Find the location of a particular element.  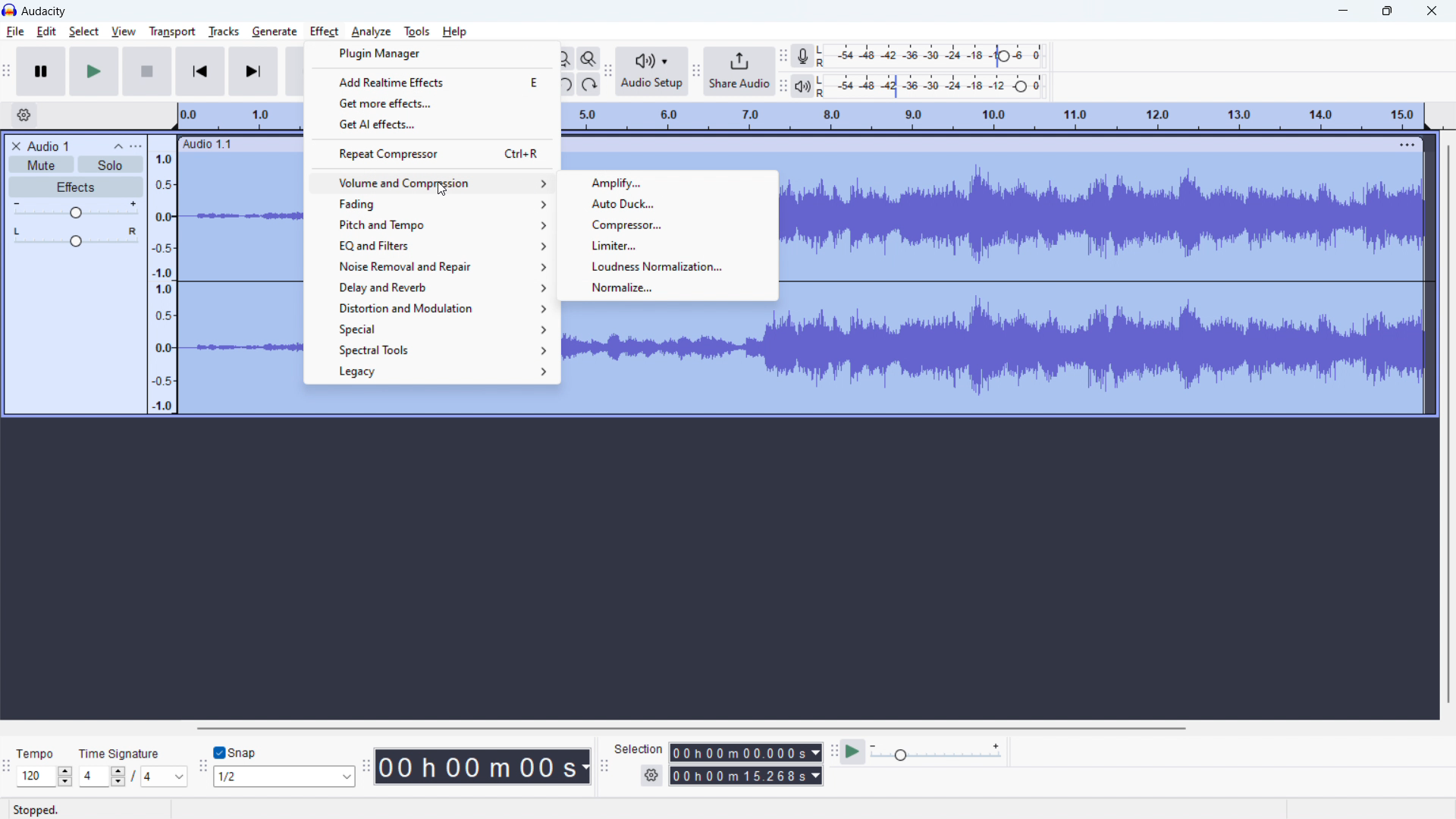

transport is located at coordinates (172, 32).